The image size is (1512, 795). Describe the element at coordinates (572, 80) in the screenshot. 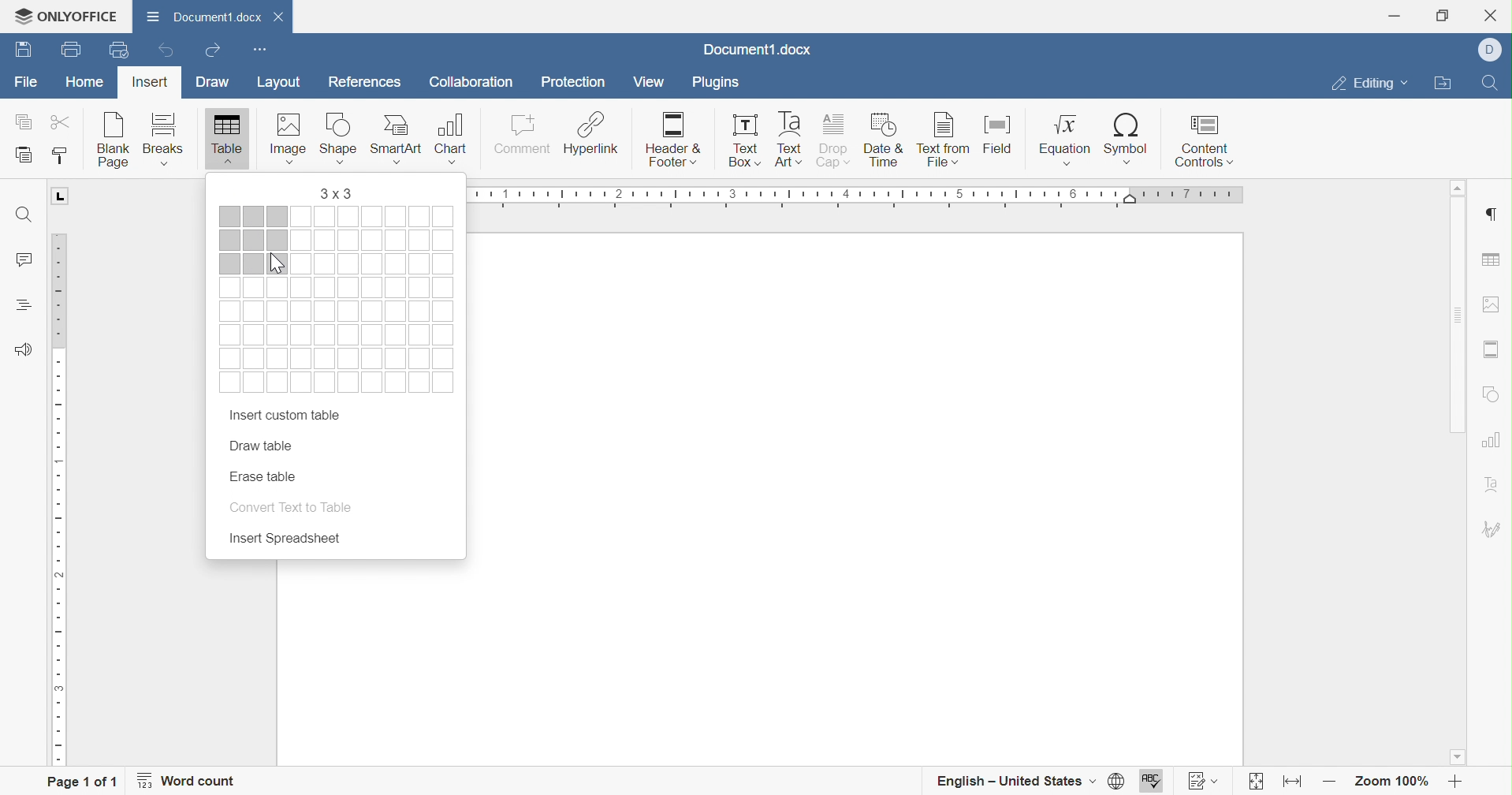

I see `Protection` at that location.